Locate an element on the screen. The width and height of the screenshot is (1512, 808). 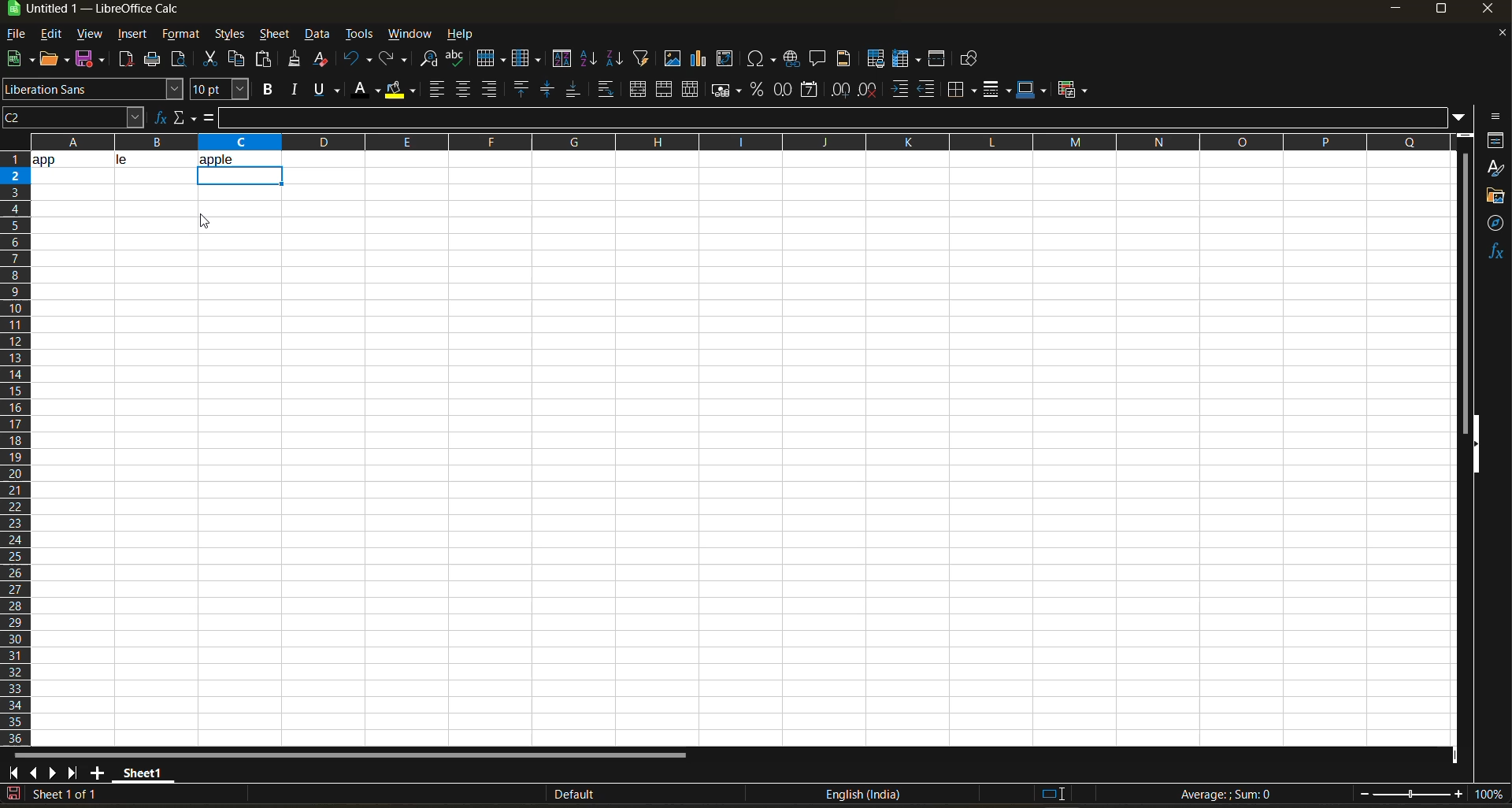
tools is located at coordinates (359, 36).